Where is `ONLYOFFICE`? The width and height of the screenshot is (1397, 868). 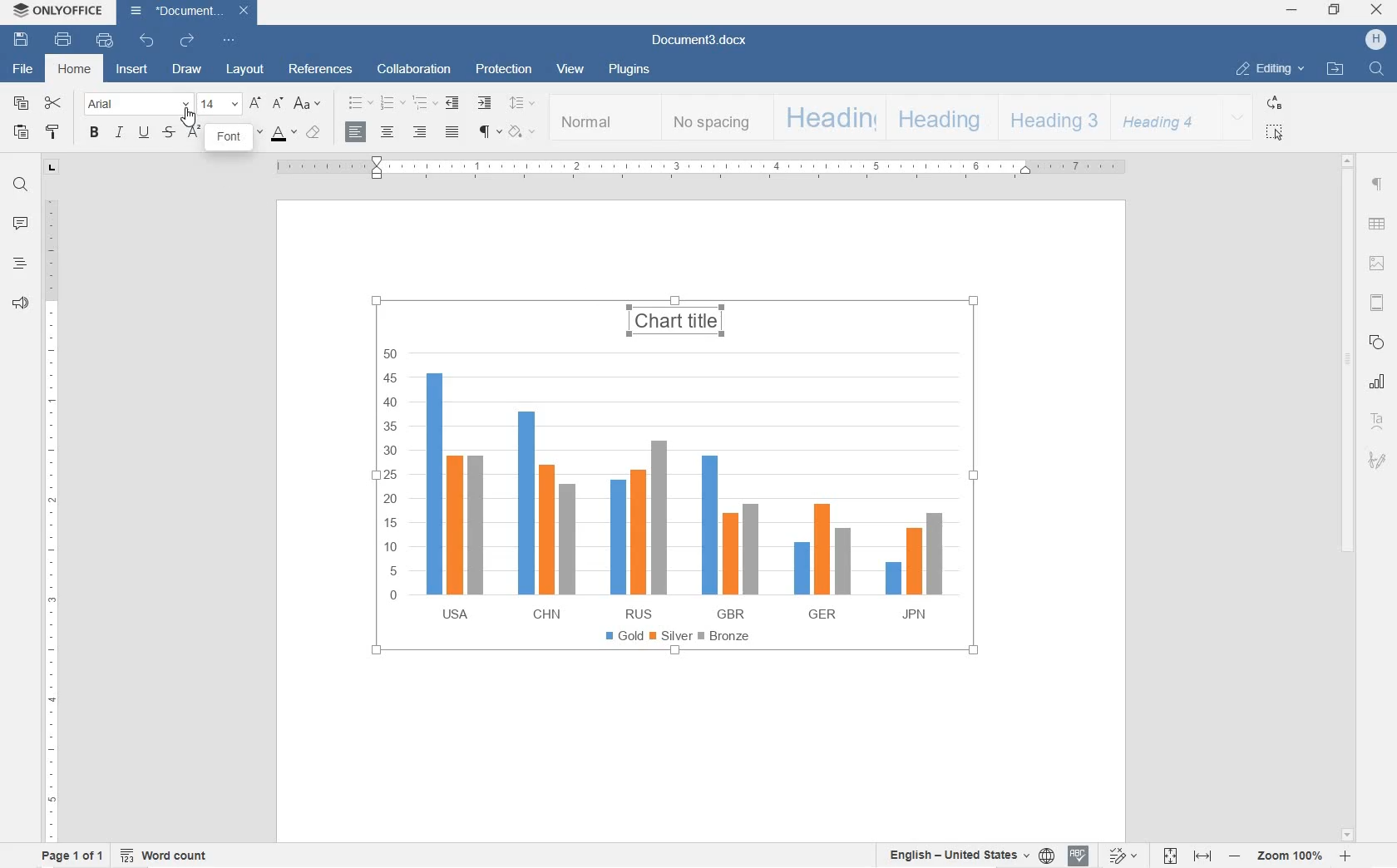 ONLYOFFICE is located at coordinates (58, 11).